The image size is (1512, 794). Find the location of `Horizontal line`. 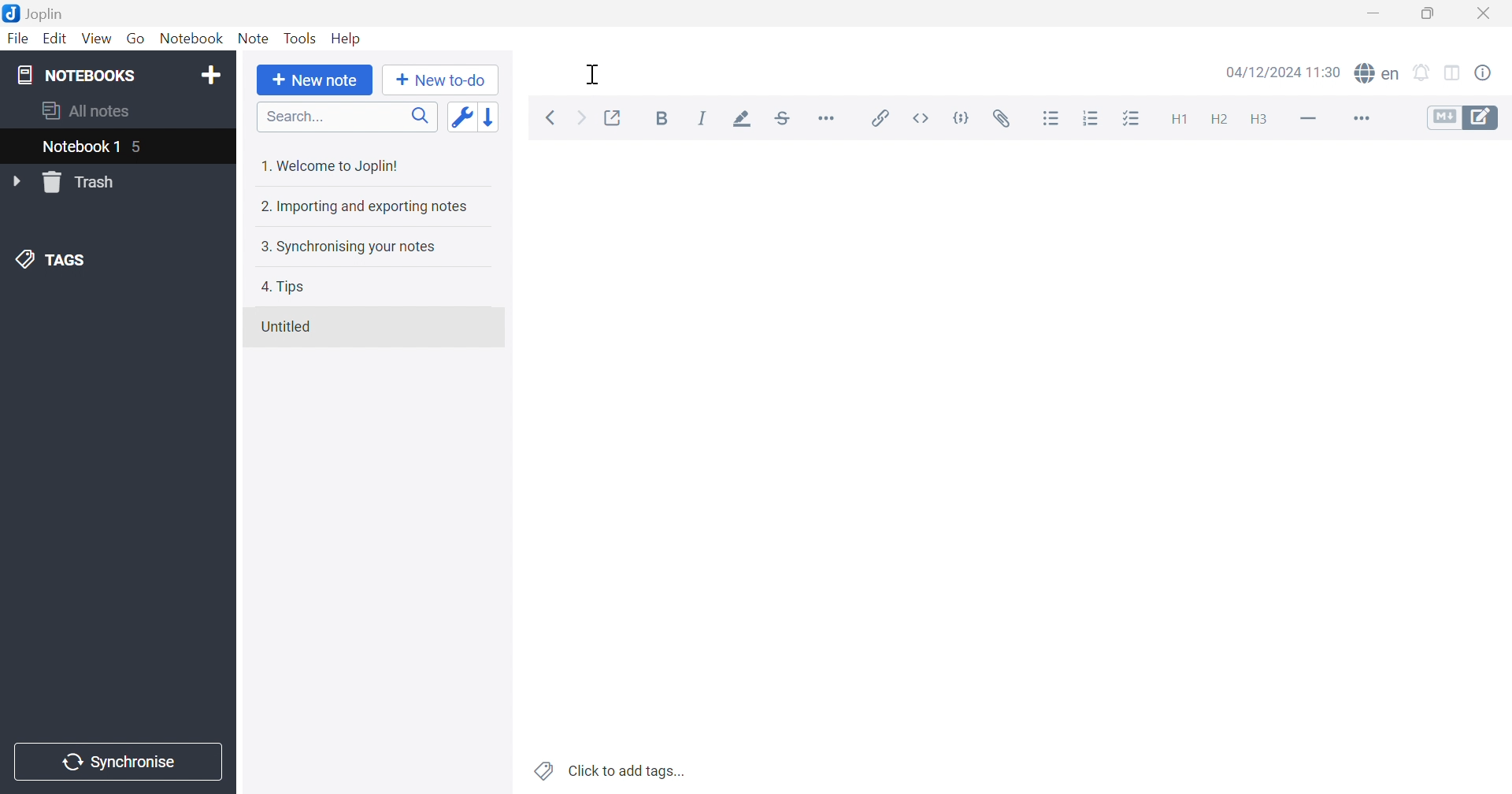

Horizontal line is located at coordinates (1311, 121).